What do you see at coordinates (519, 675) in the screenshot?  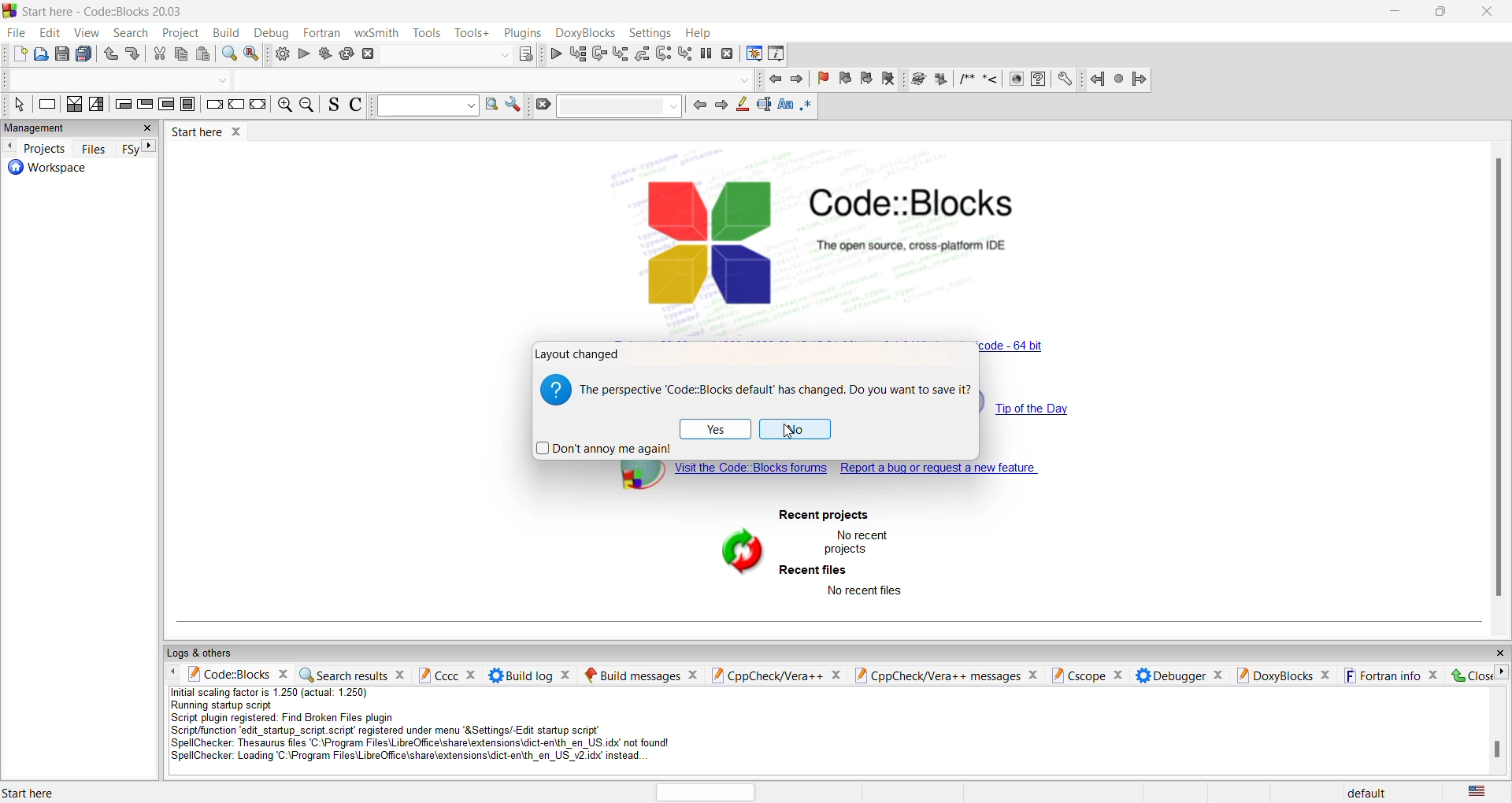 I see `build log panes` at bounding box center [519, 675].